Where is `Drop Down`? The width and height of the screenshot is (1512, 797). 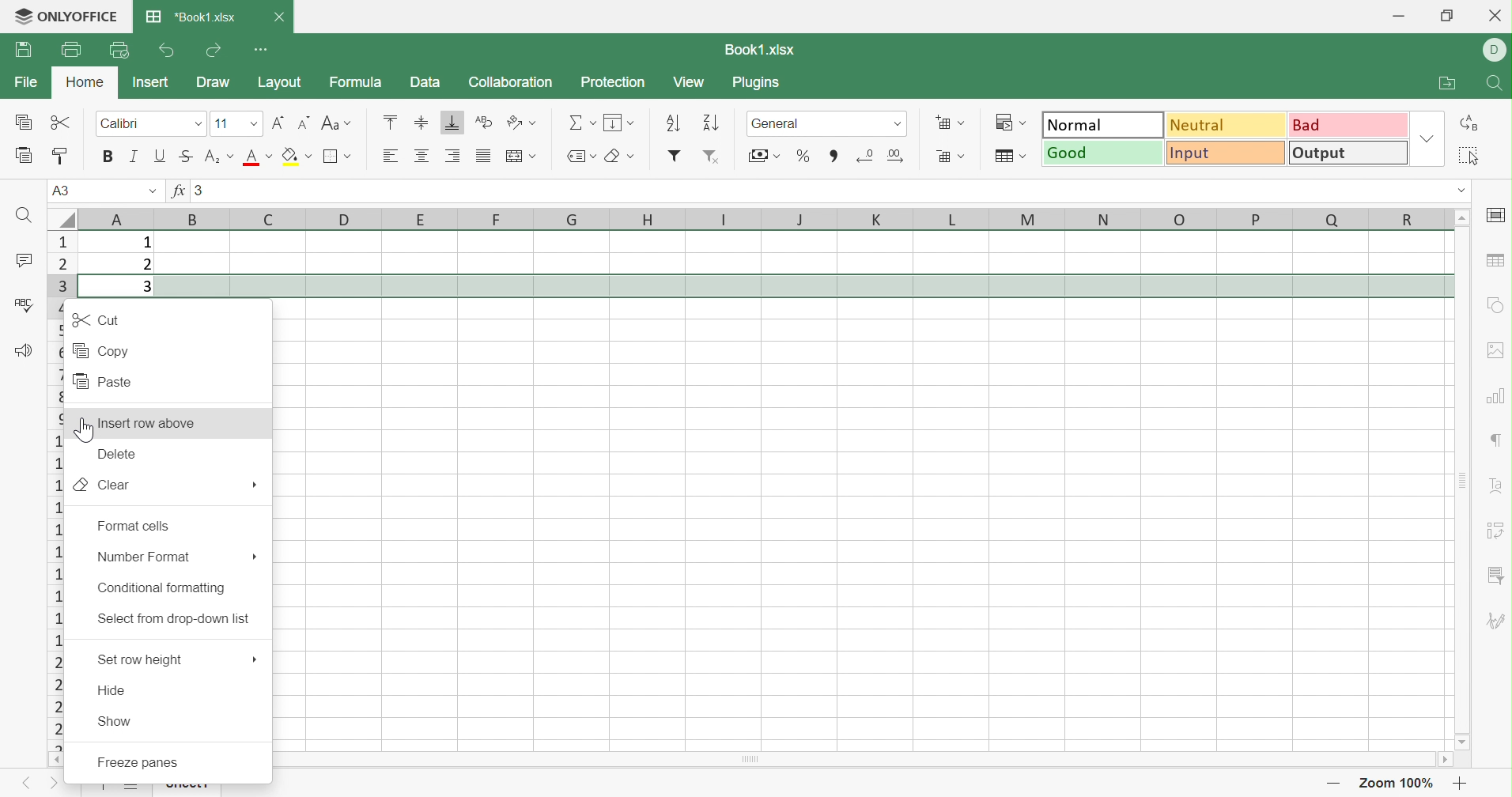 Drop Down is located at coordinates (309, 156).